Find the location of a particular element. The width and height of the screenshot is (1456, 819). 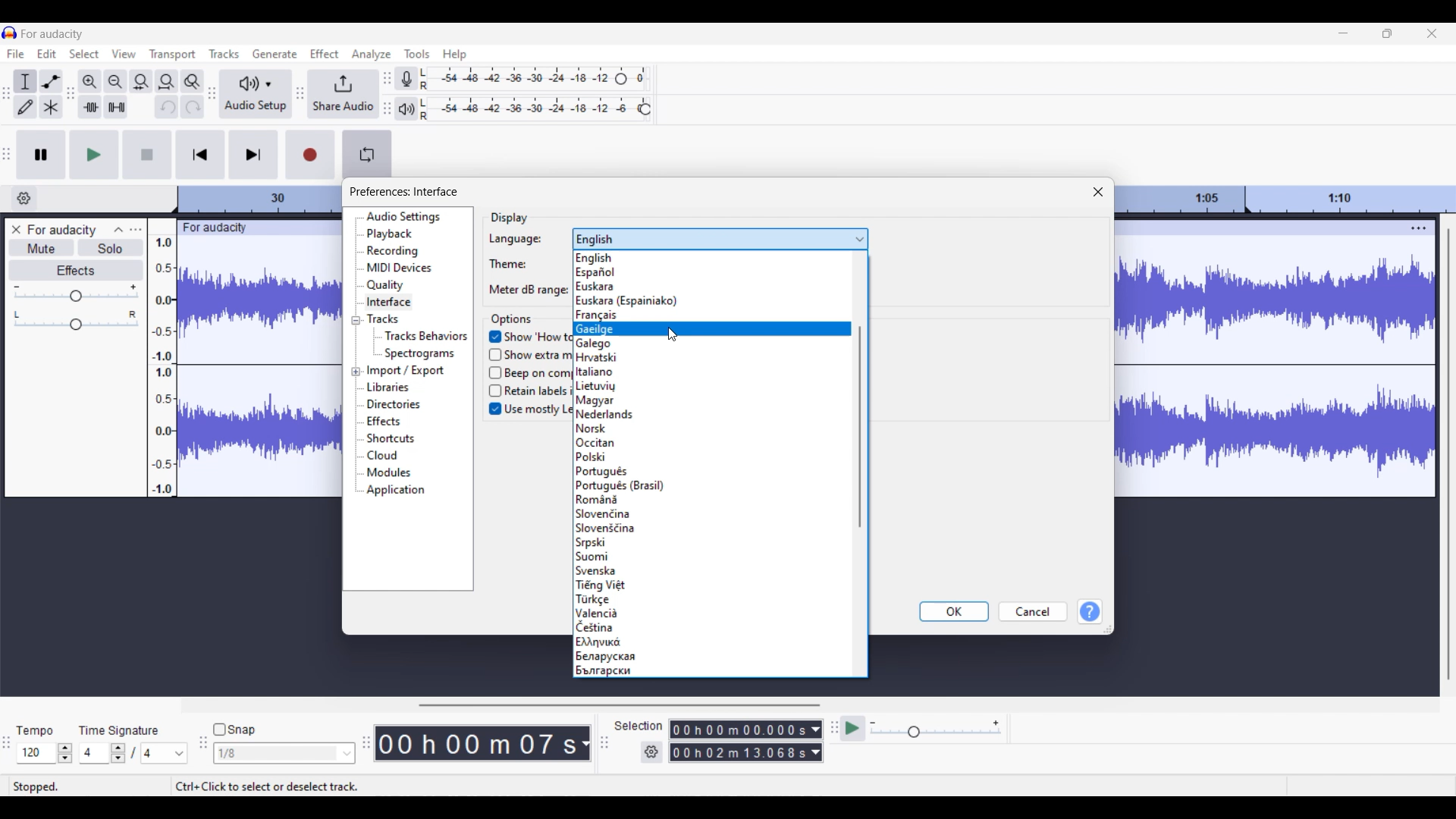

Collapse  is located at coordinates (118, 230).